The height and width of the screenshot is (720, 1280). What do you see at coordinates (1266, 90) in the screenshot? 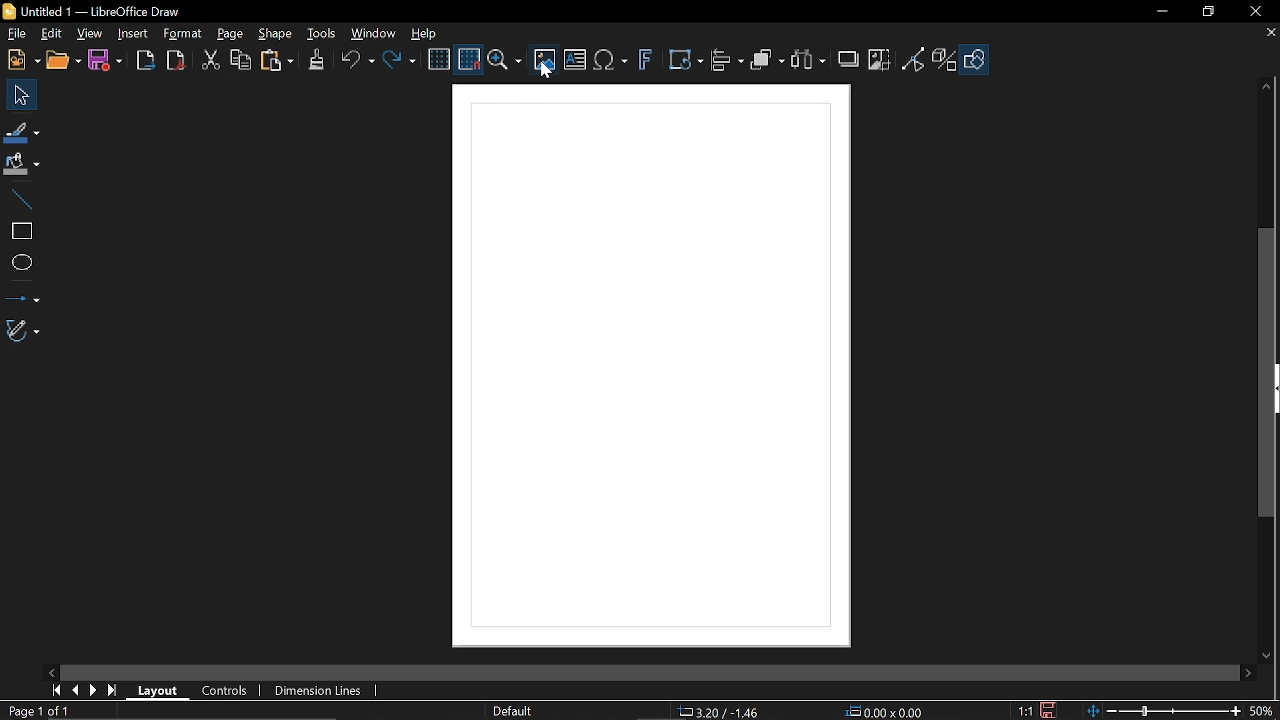
I see `Move up` at bounding box center [1266, 90].